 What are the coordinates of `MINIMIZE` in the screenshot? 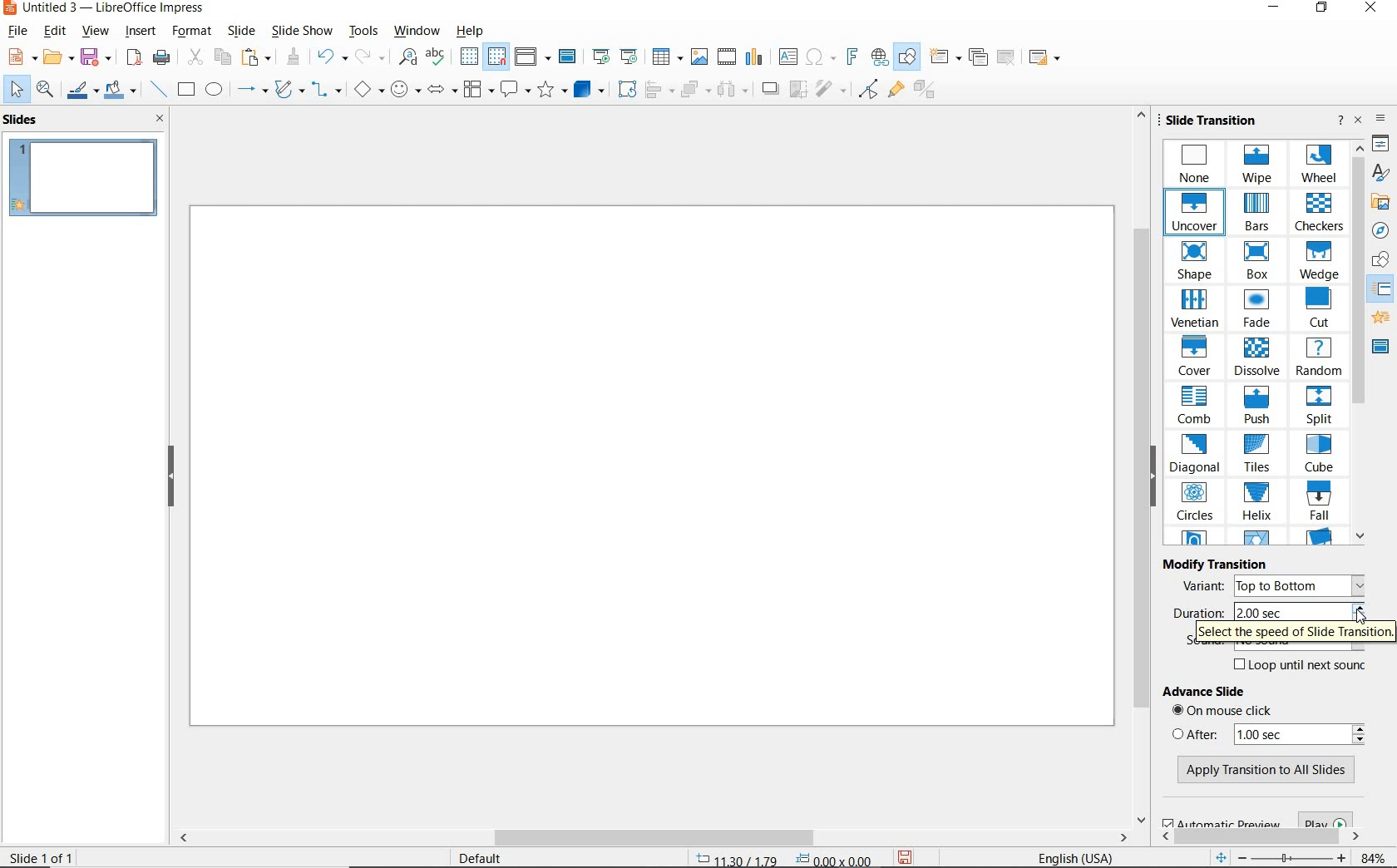 It's located at (1273, 8).